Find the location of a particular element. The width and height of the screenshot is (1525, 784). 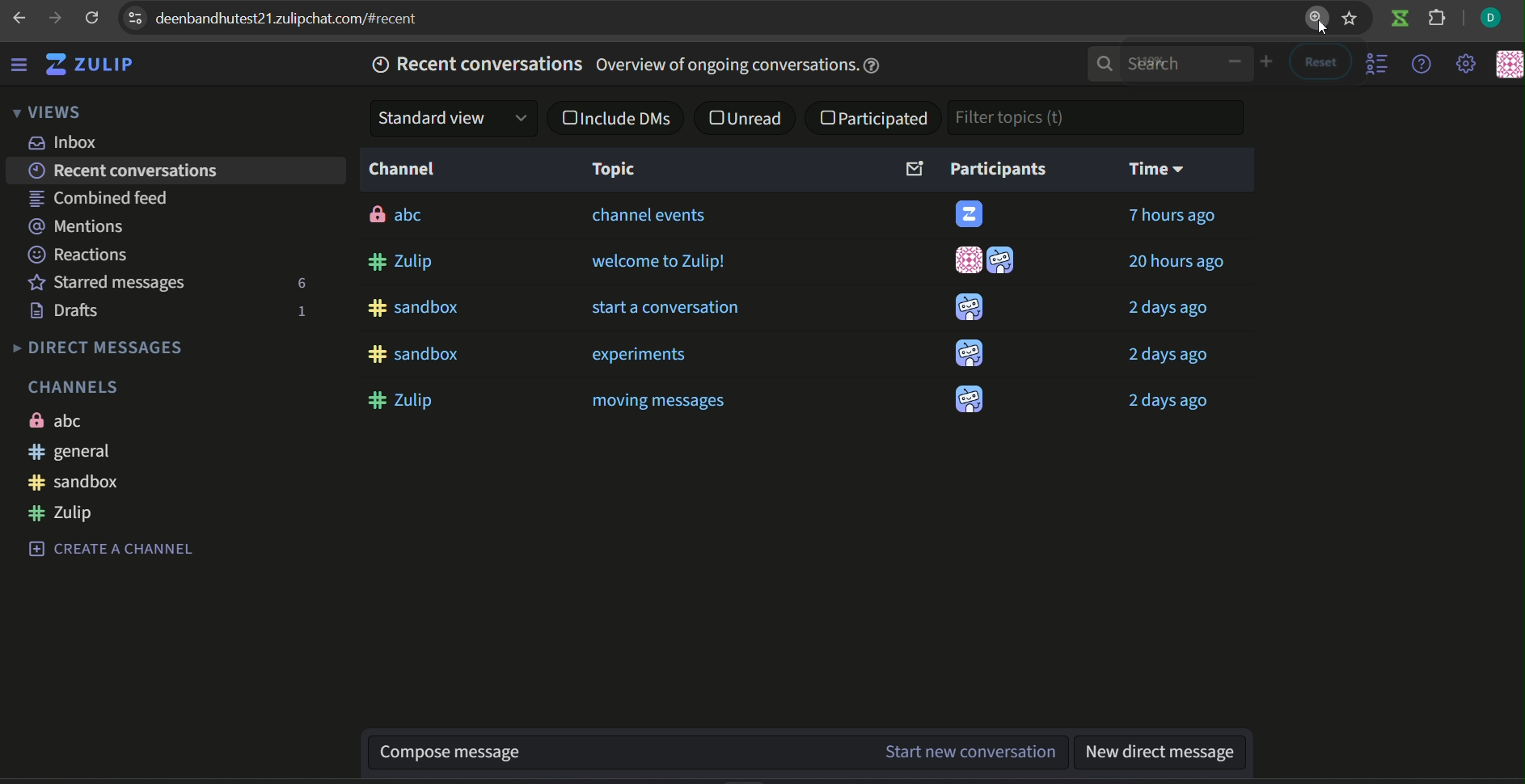

zoom is located at coordinates (1316, 20).